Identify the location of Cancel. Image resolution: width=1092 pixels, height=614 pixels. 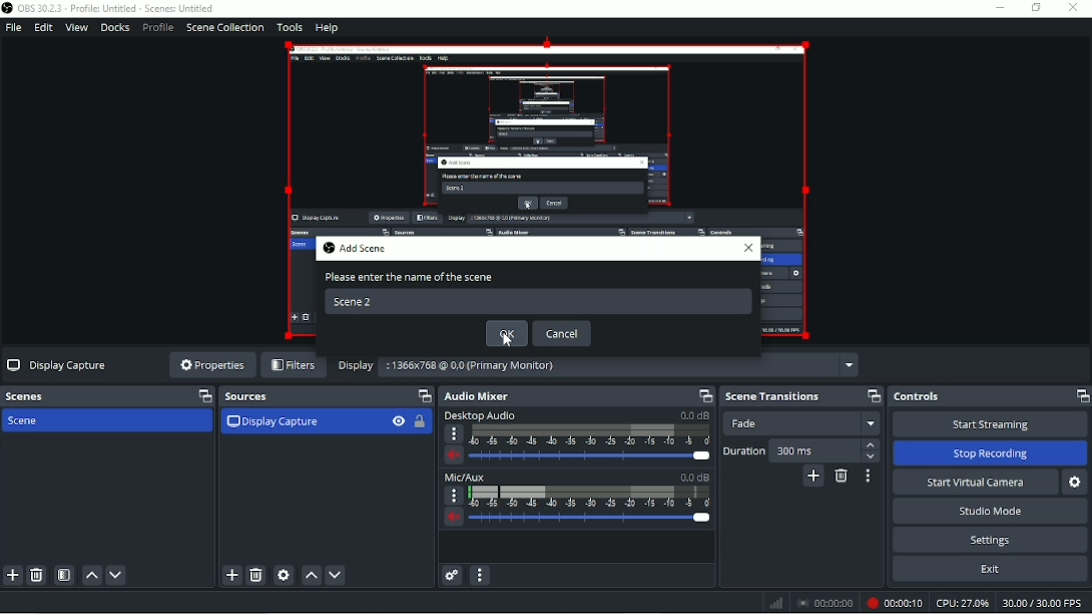
(563, 333).